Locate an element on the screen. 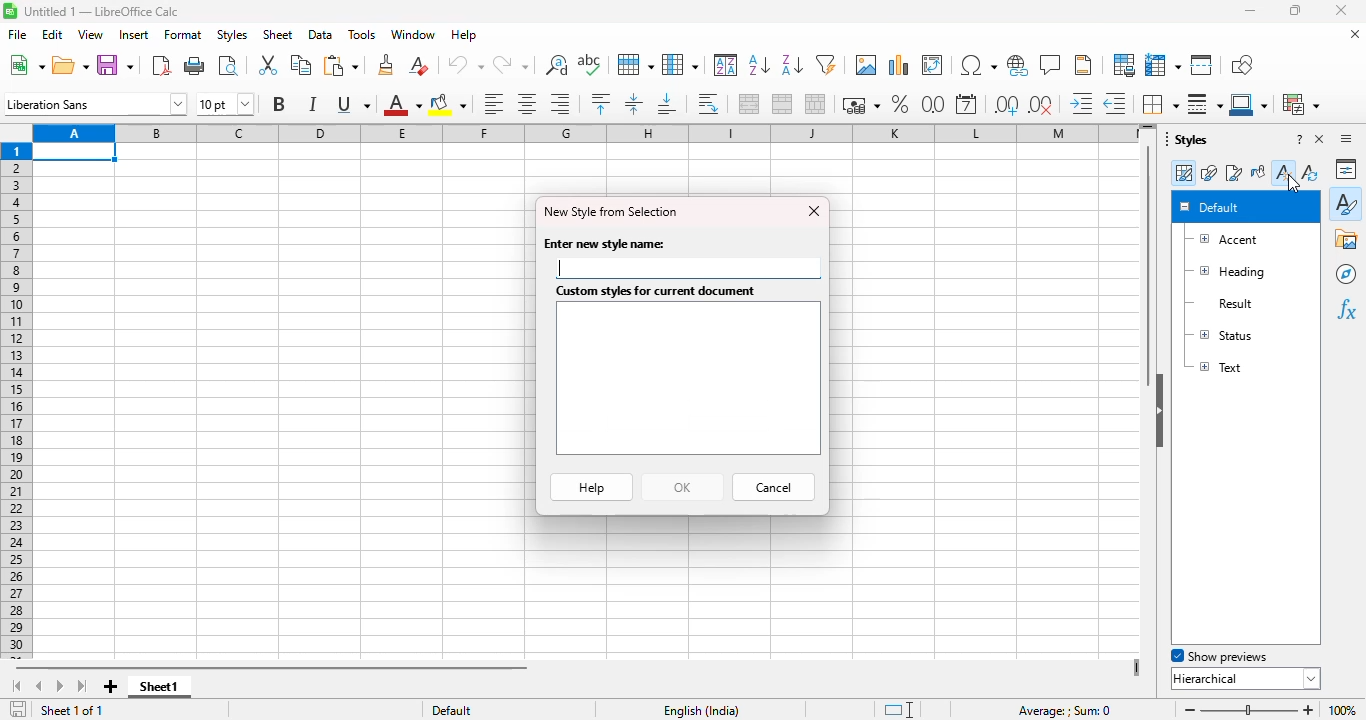 The height and width of the screenshot is (720, 1366). merge and center or unmerge cells depending on the current toggle state is located at coordinates (750, 104).